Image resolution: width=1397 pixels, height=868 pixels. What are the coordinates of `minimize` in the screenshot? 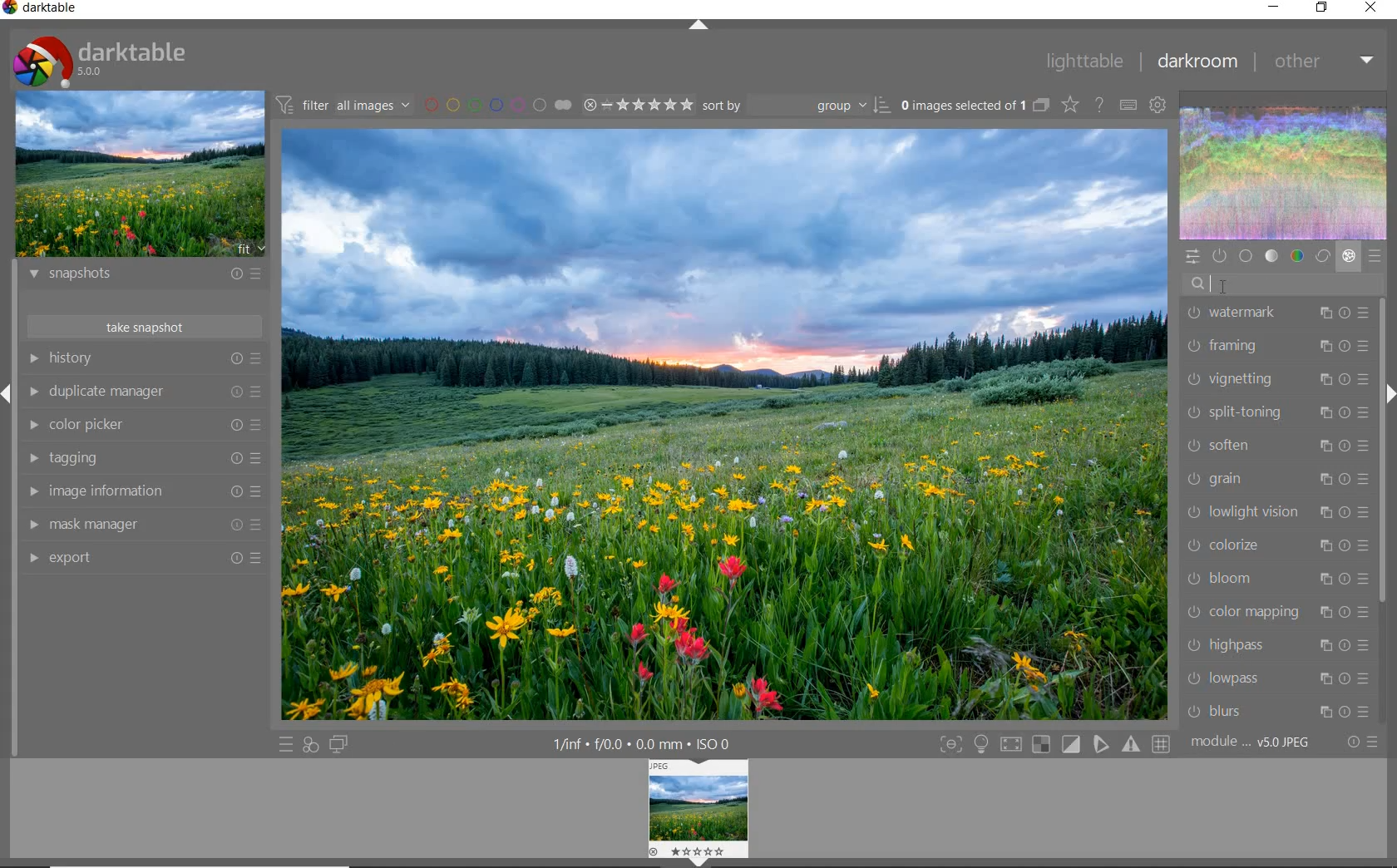 It's located at (1273, 7).